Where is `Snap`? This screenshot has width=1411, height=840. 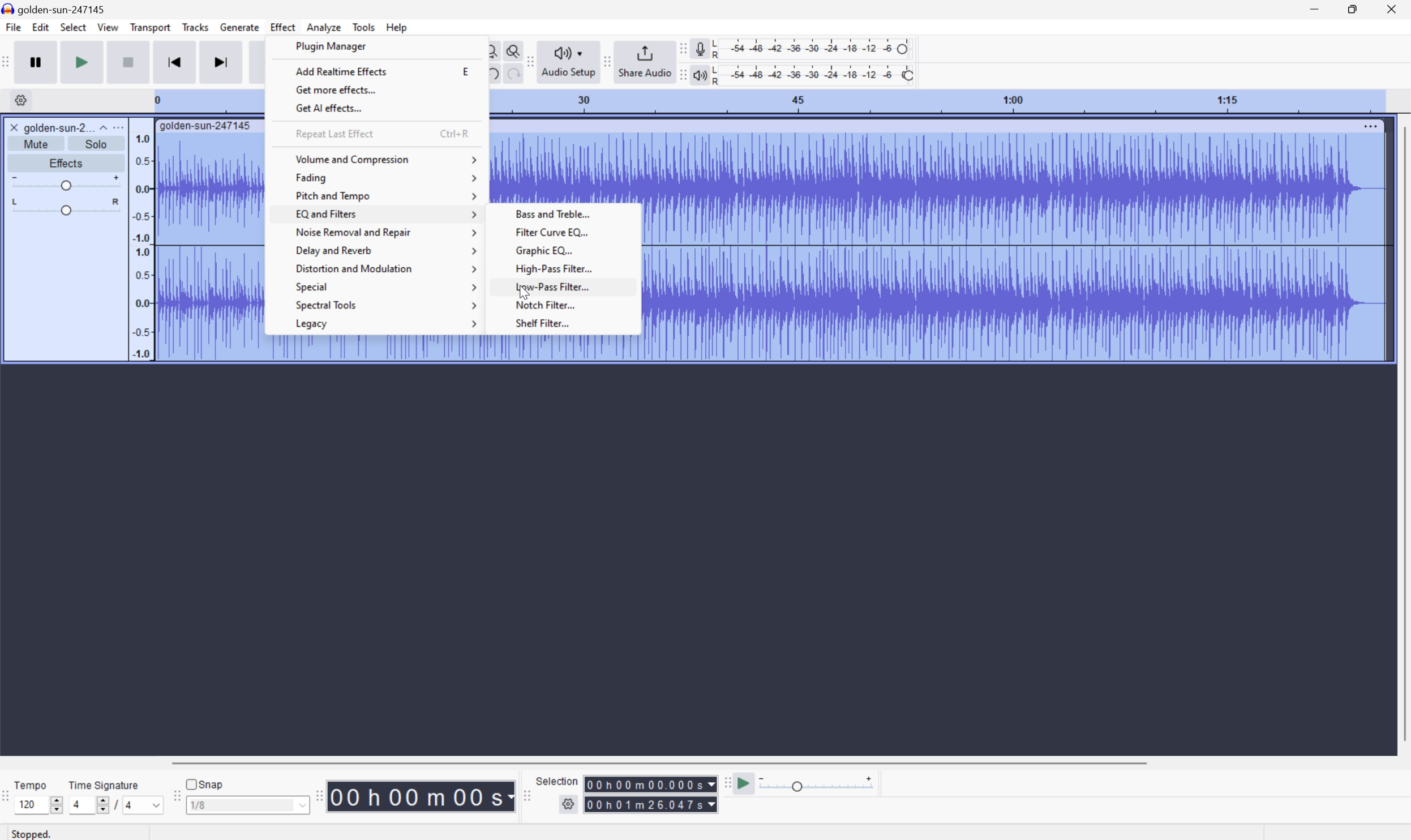
Snap is located at coordinates (205, 783).